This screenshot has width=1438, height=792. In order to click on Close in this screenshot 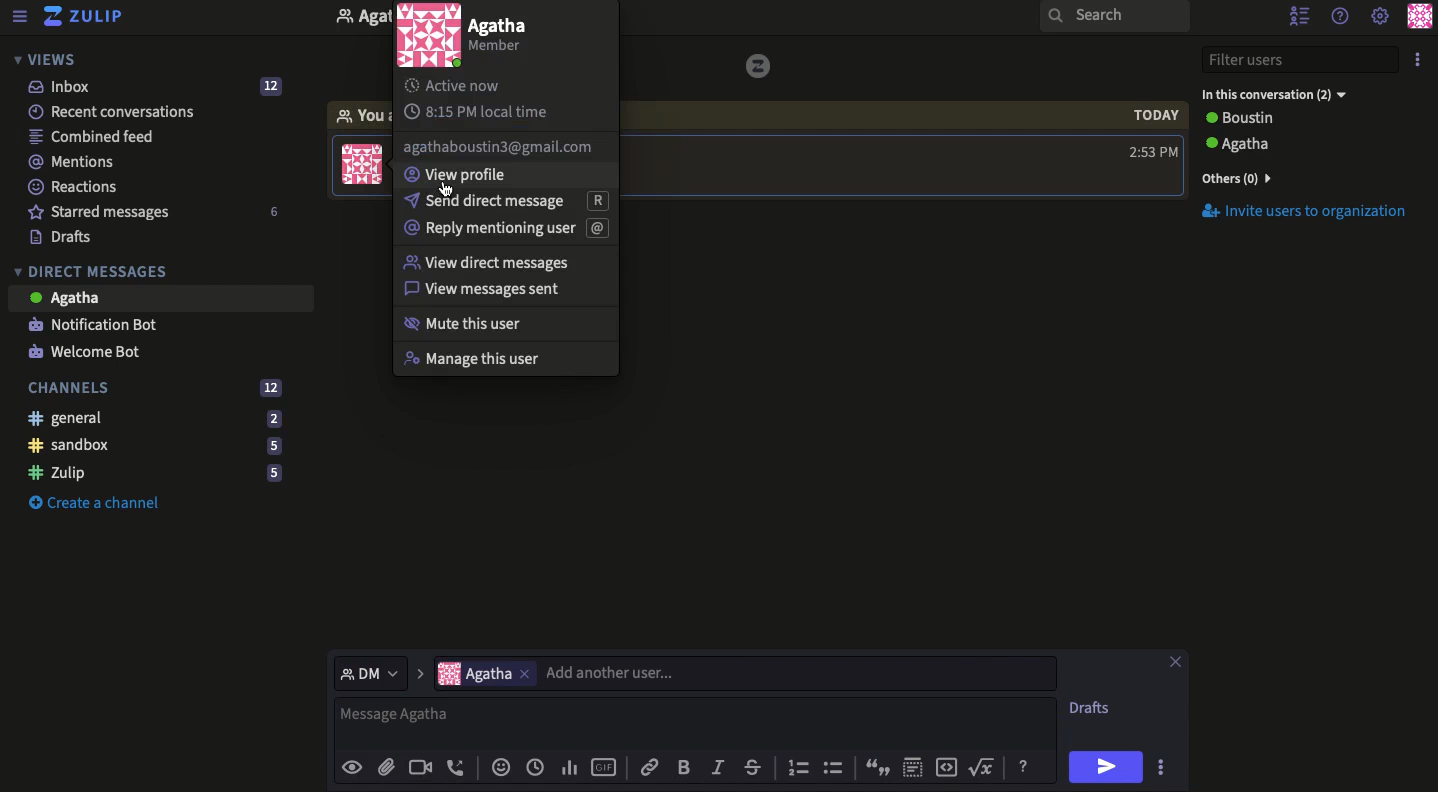, I will do `click(1174, 664)`.